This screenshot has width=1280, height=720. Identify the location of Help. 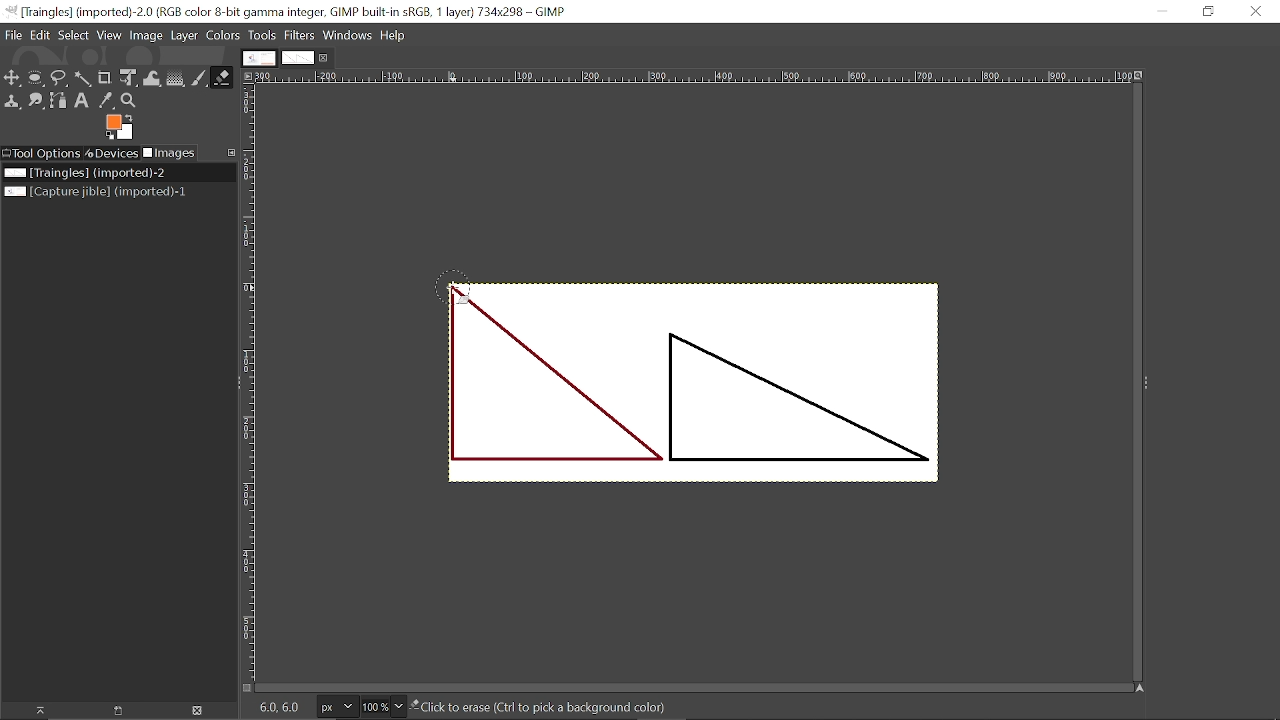
(394, 35).